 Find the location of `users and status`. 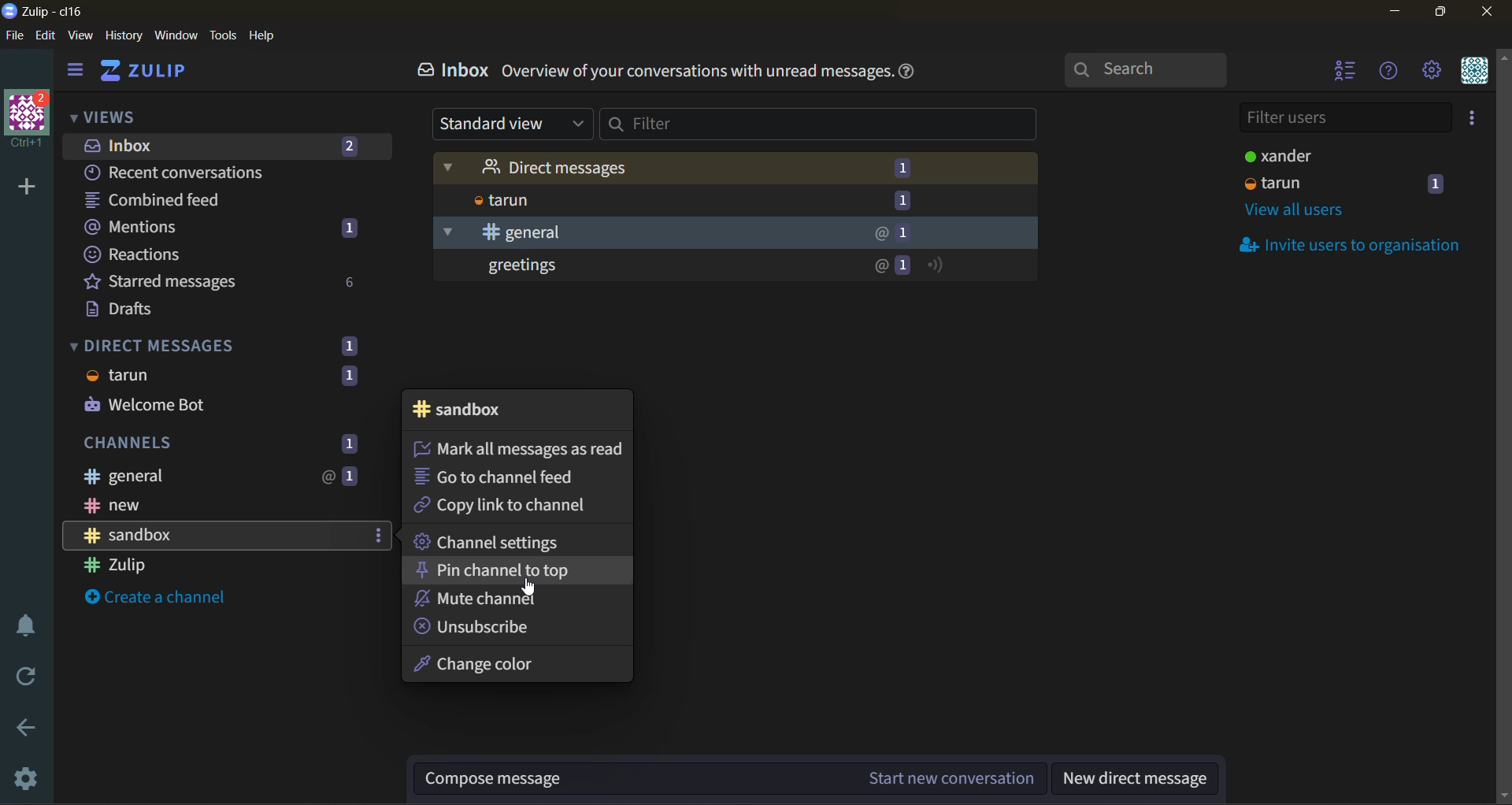

users and status is located at coordinates (1351, 185).